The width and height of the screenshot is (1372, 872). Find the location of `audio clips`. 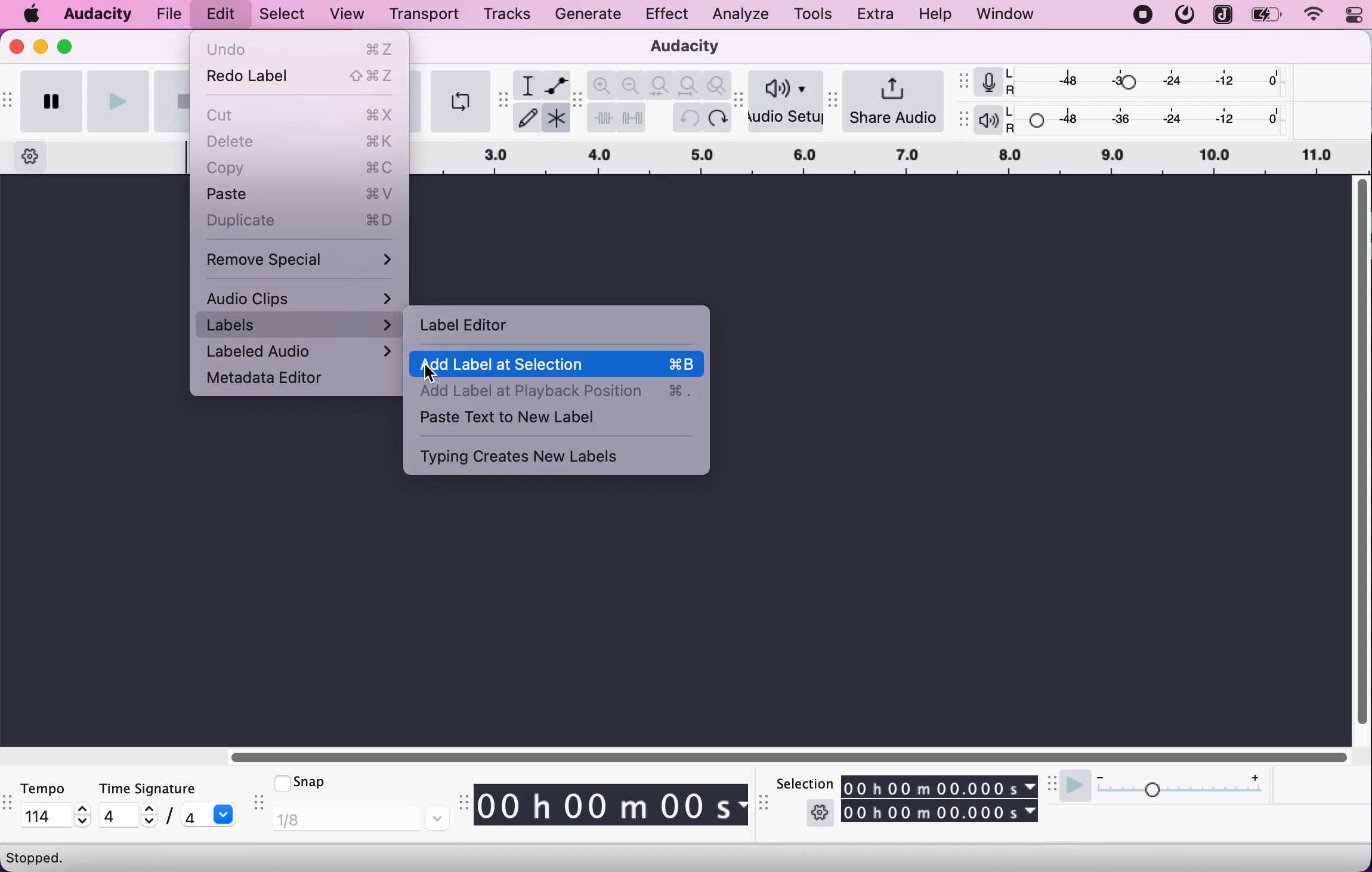

audio clips is located at coordinates (301, 297).